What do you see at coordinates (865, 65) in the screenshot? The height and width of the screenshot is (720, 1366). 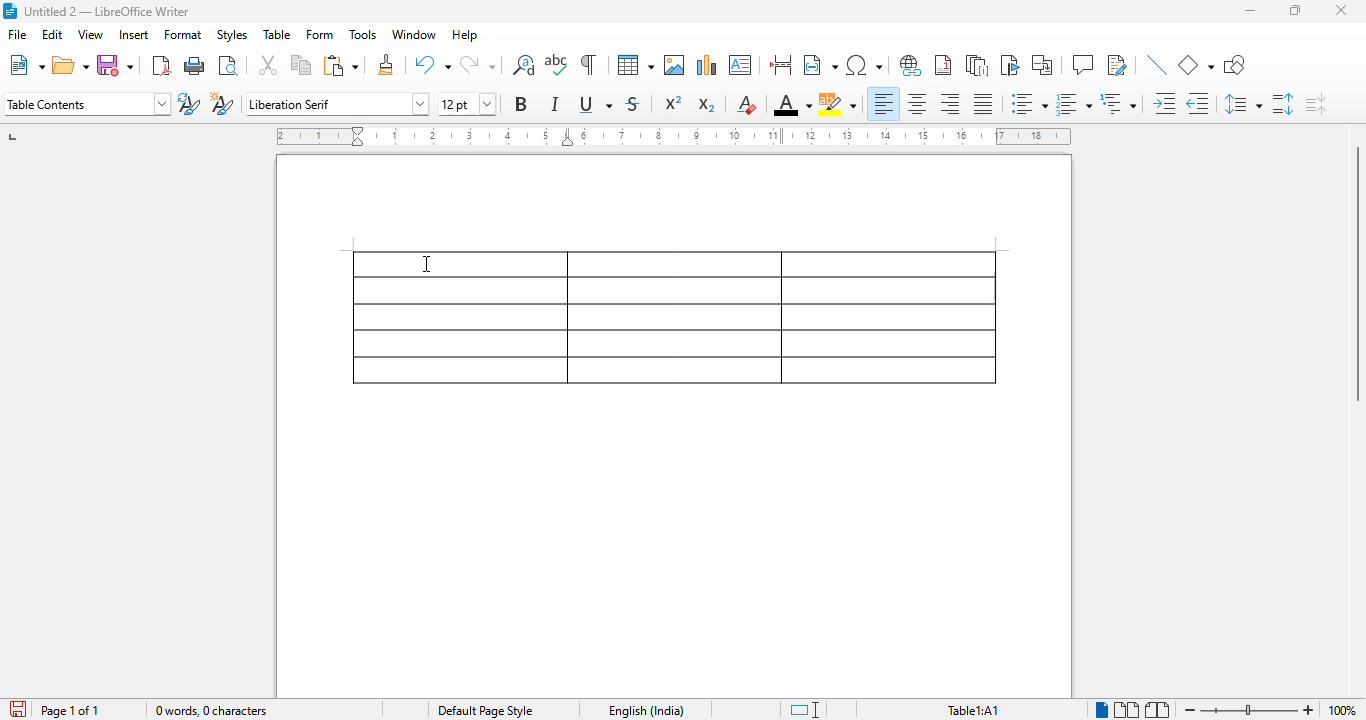 I see `insert special characters` at bounding box center [865, 65].